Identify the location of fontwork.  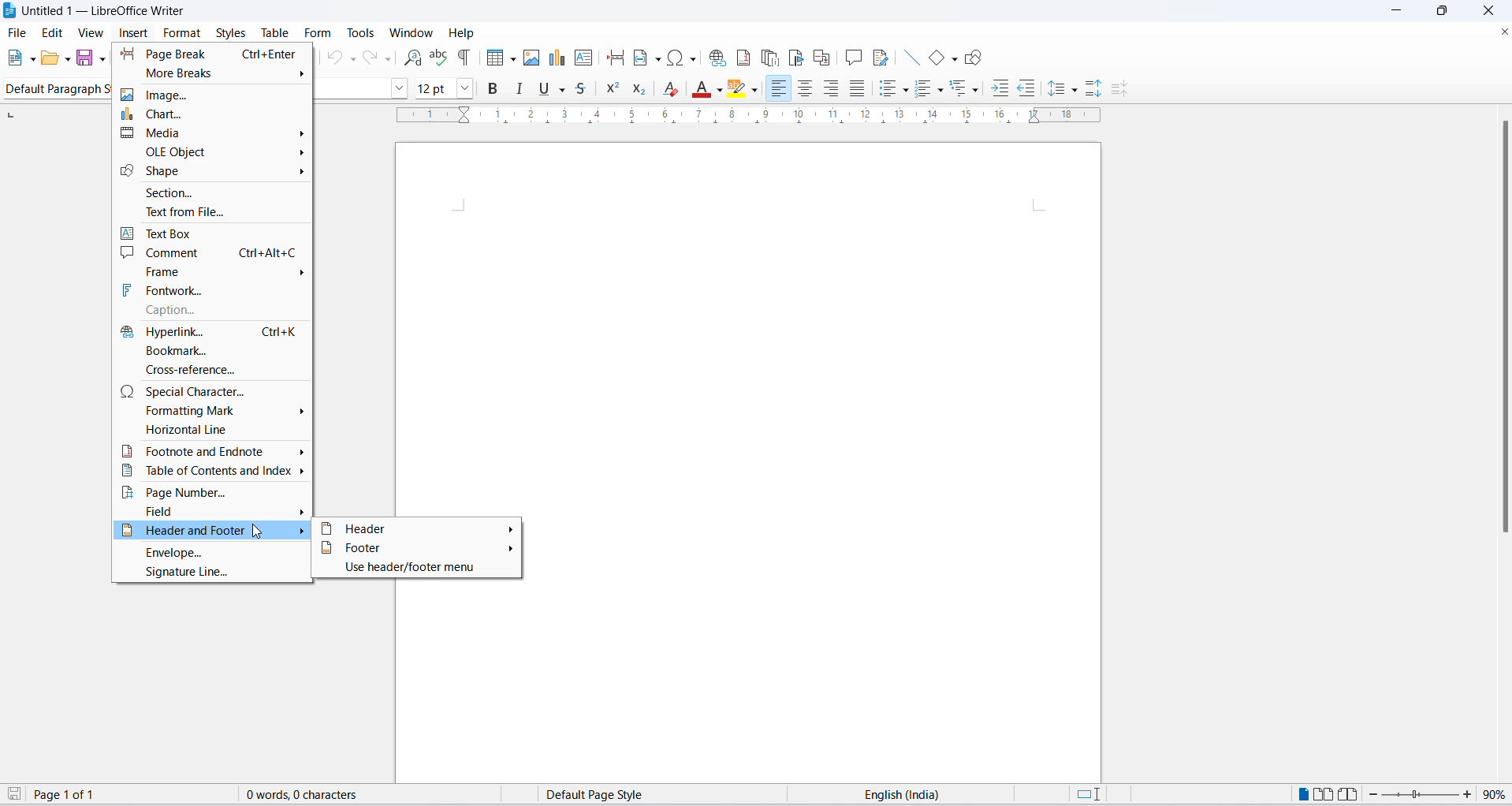
(212, 289).